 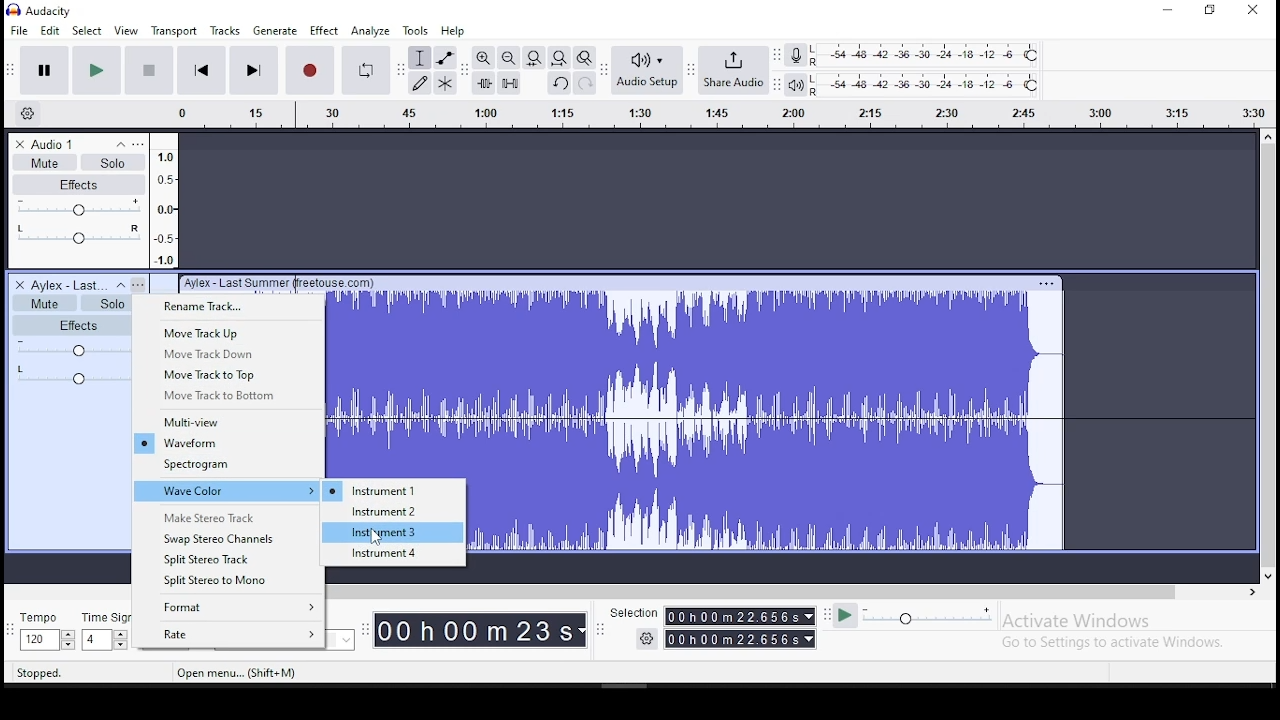 What do you see at coordinates (584, 57) in the screenshot?
I see `zoom toggle` at bounding box center [584, 57].